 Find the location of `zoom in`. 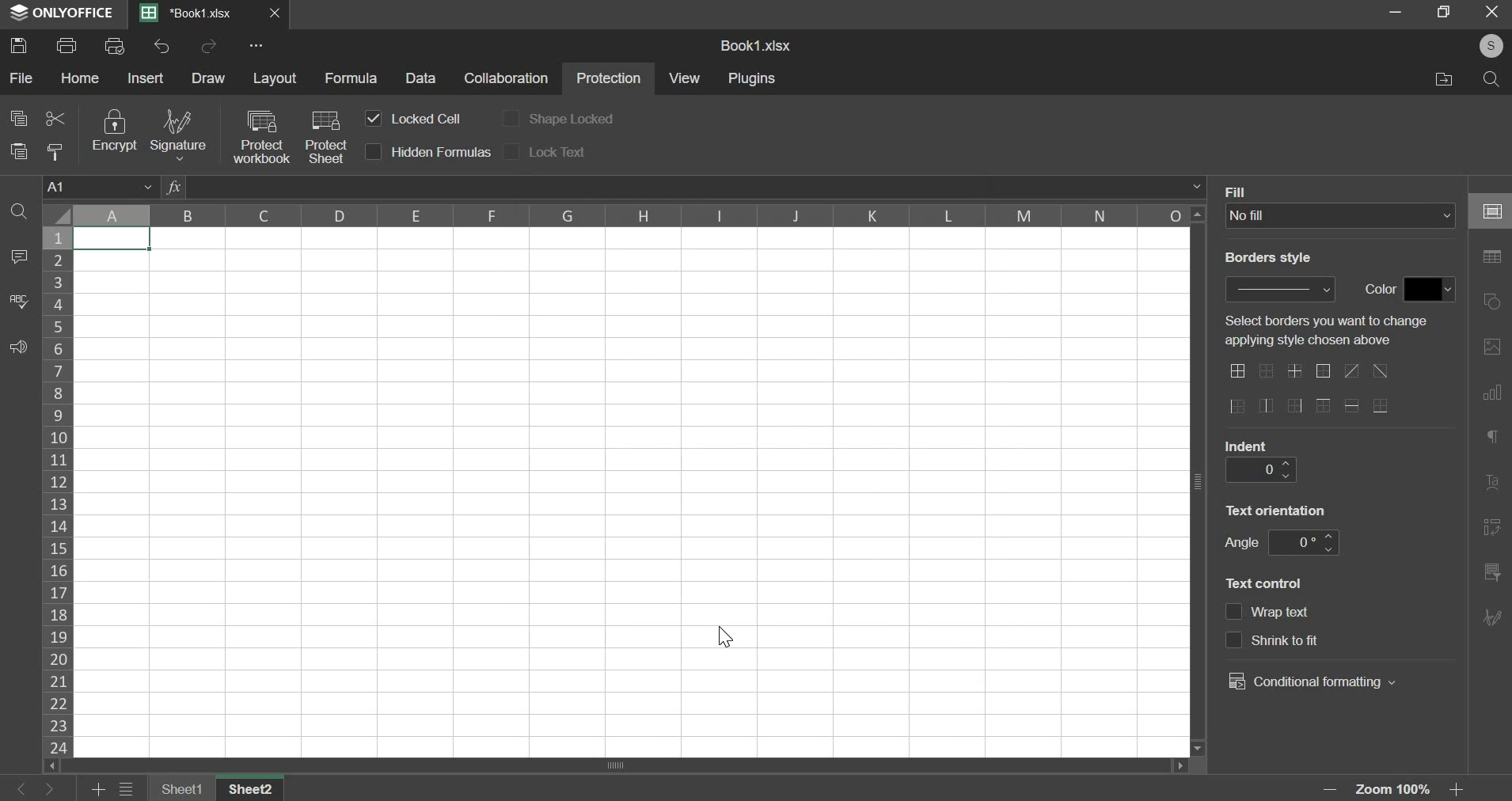

zoom in is located at coordinates (1461, 790).